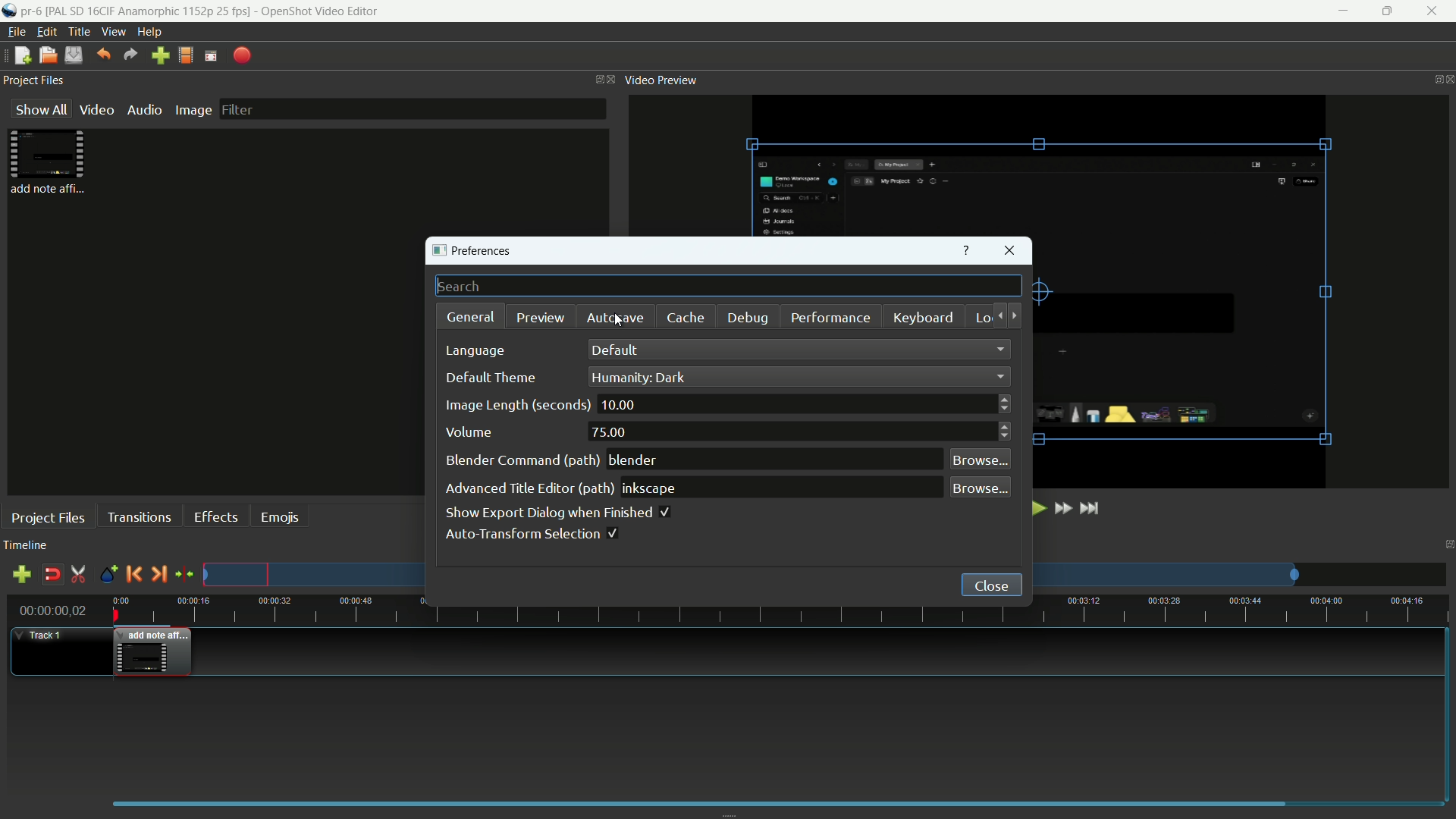  Describe the element at coordinates (105, 54) in the screenshot. I see `undo` at that location.